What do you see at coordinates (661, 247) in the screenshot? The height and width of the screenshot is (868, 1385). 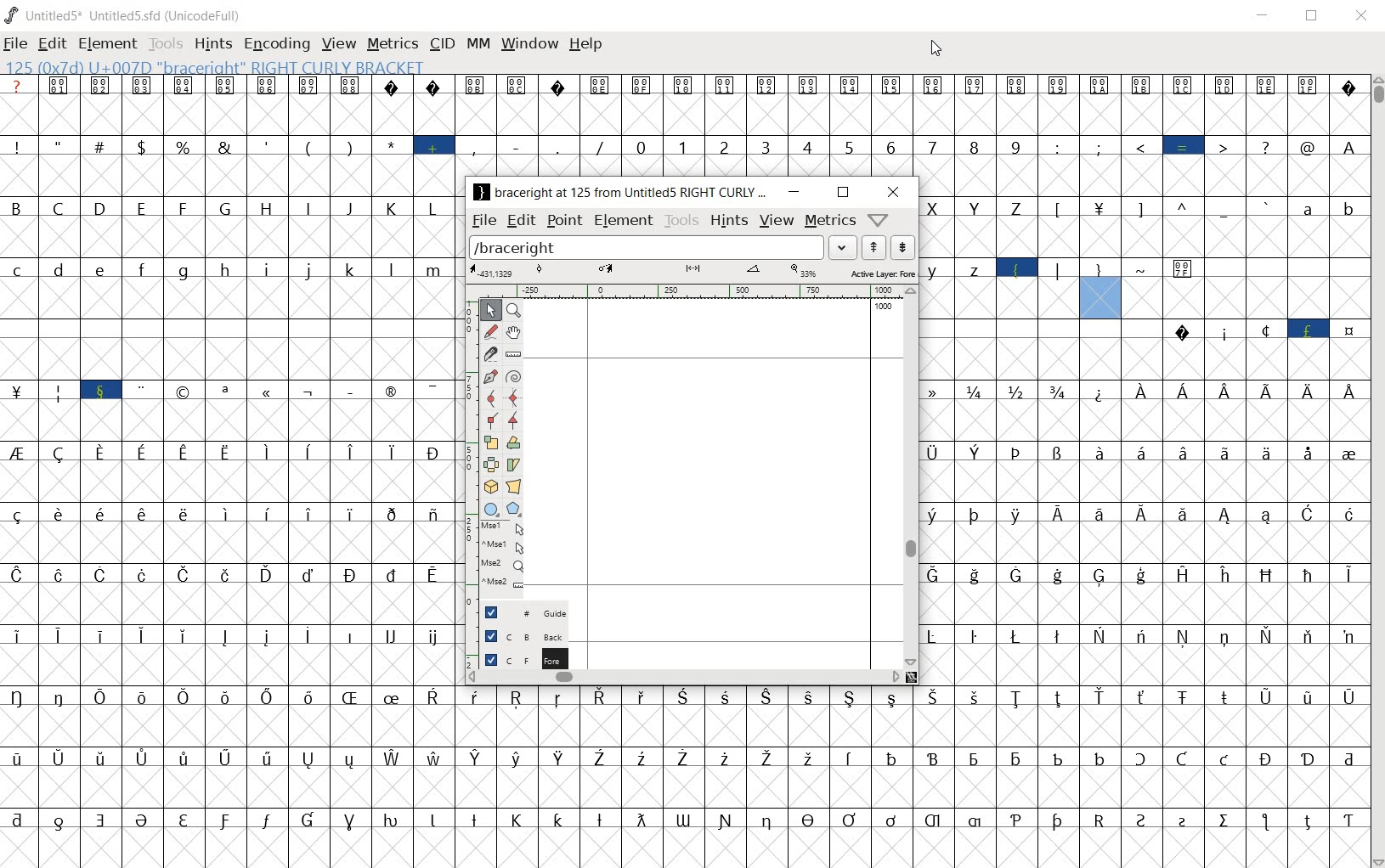 I see `load word list` at bounding box center [661, 247].